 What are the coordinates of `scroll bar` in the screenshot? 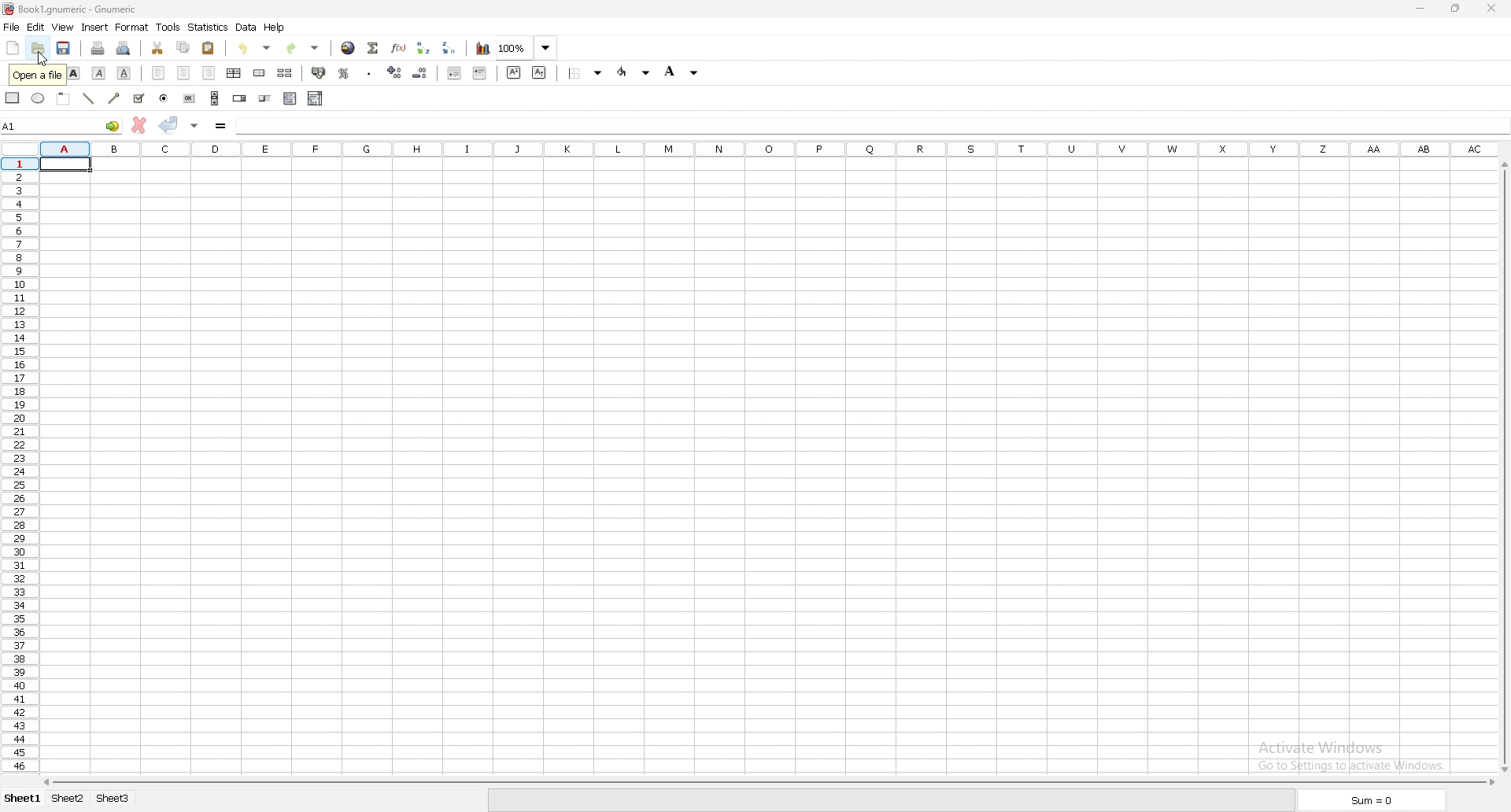 It's located at (768, 782).